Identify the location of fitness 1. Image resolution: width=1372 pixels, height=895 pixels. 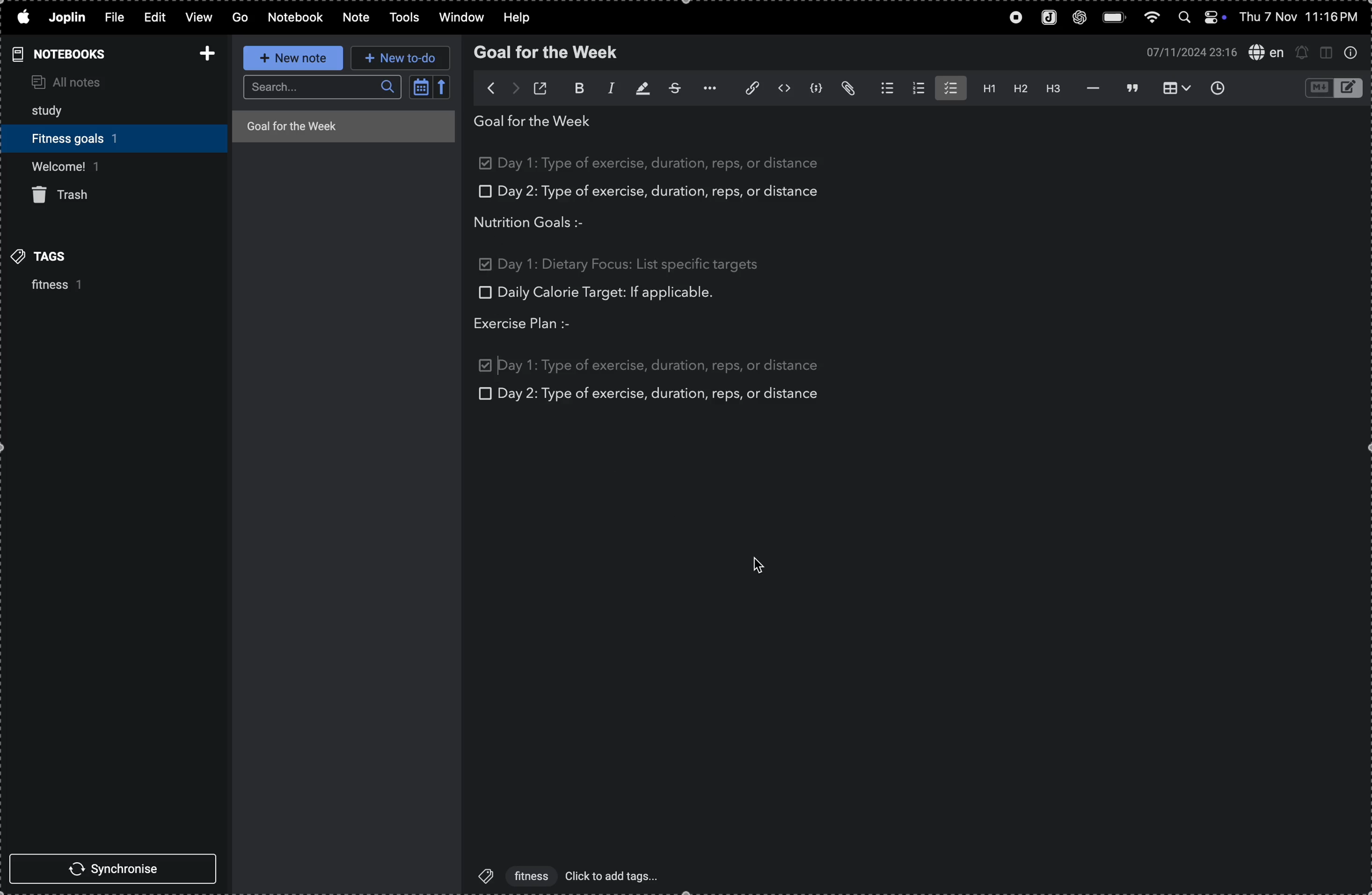
(47, 287).